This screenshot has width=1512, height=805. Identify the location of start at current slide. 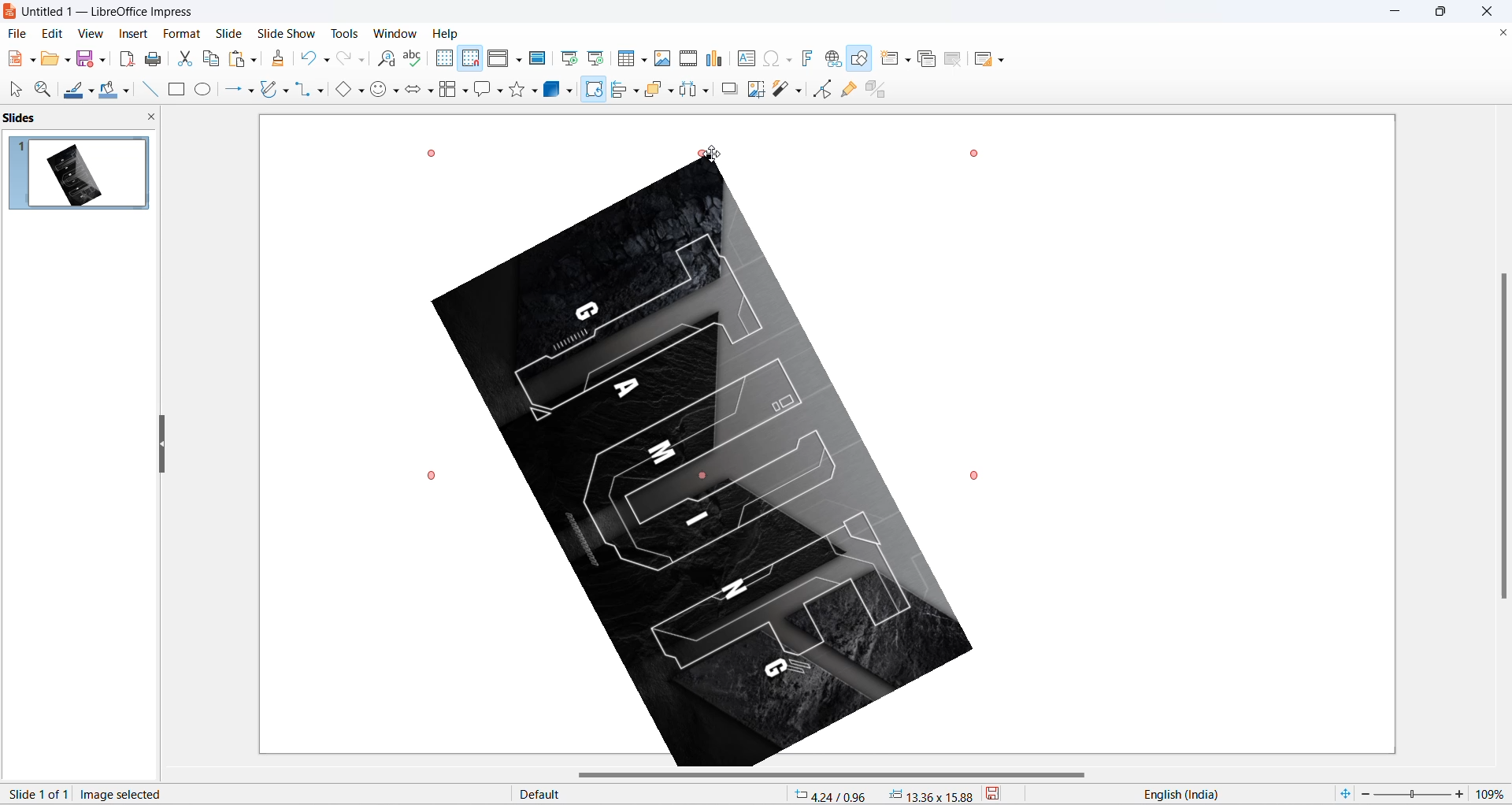
(598, 57).